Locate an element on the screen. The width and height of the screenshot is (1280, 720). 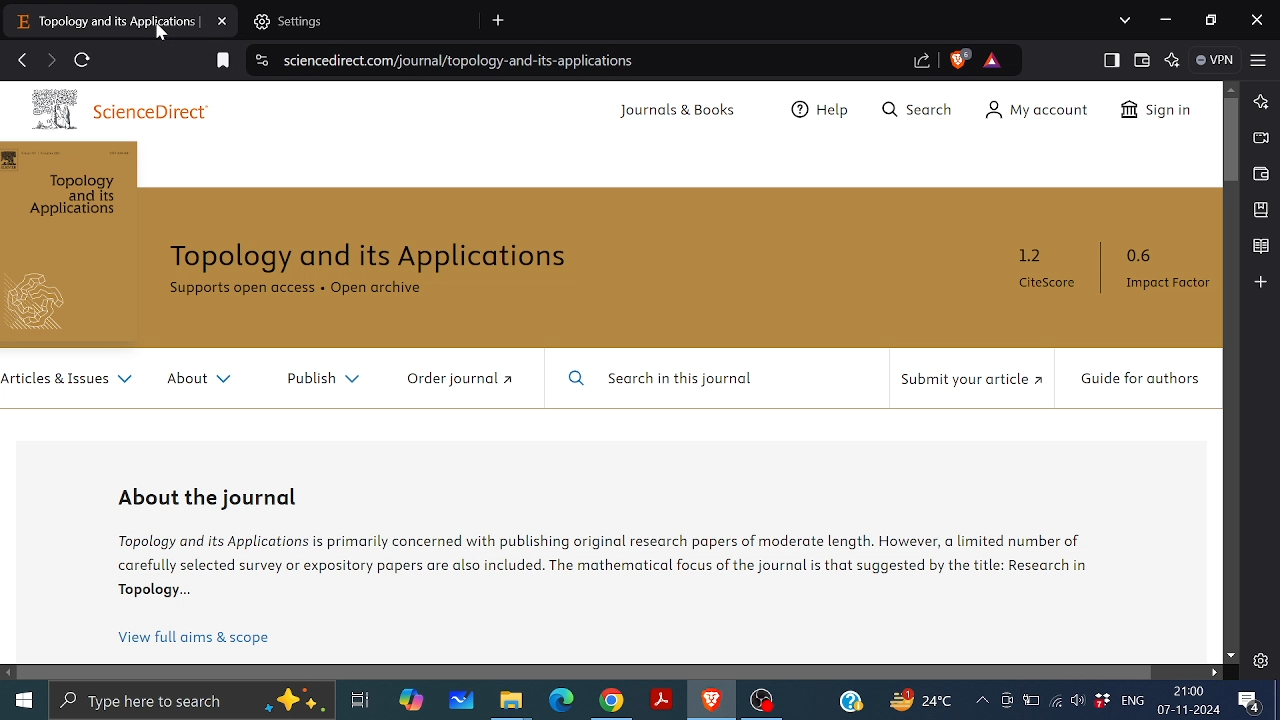
Weather is located at coordinates (917, 699).